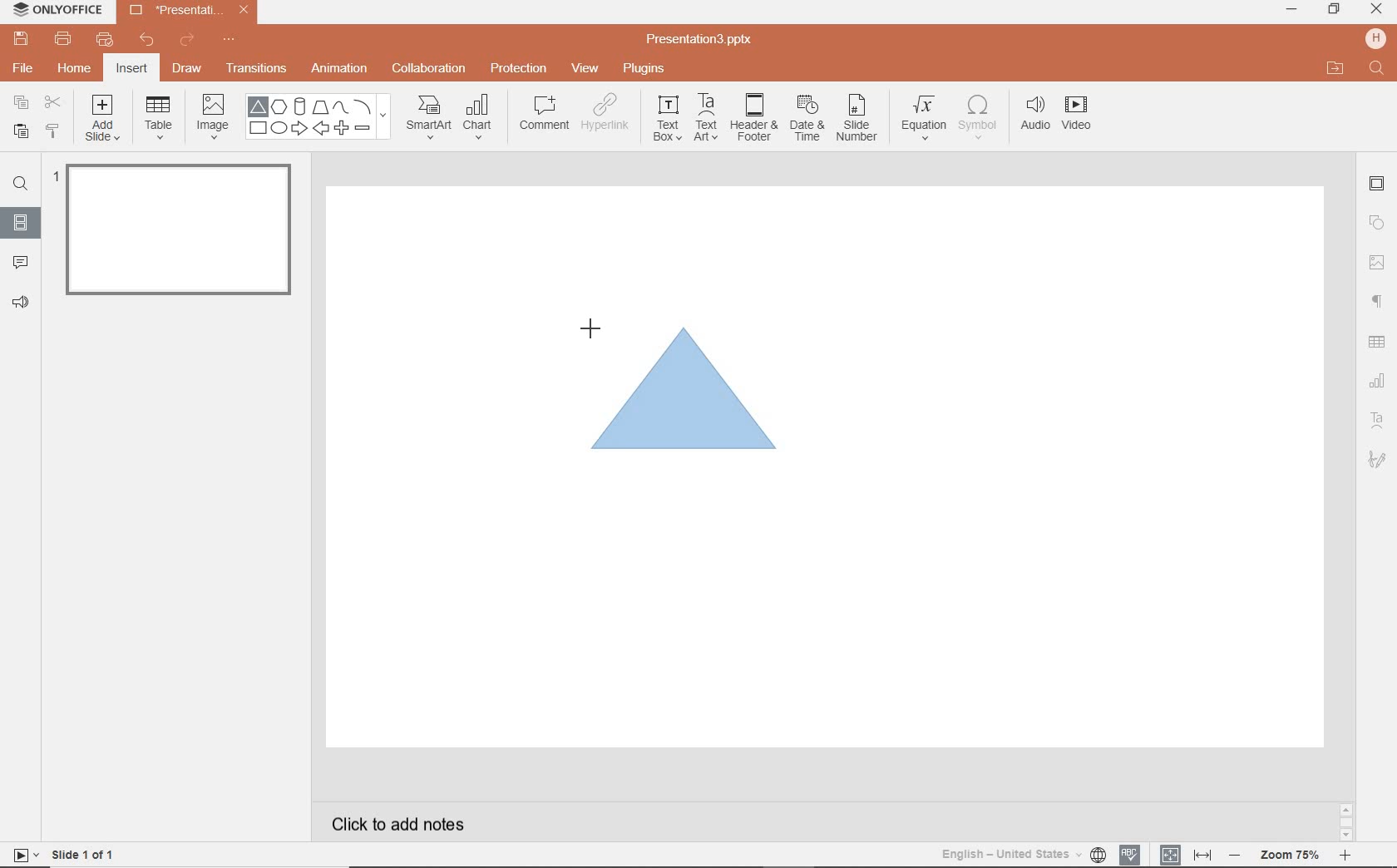 The image size is (1397, 868). Describe the element at coordinates (434, 70) in the screenshot. I see `COLLABORATION` at that location.